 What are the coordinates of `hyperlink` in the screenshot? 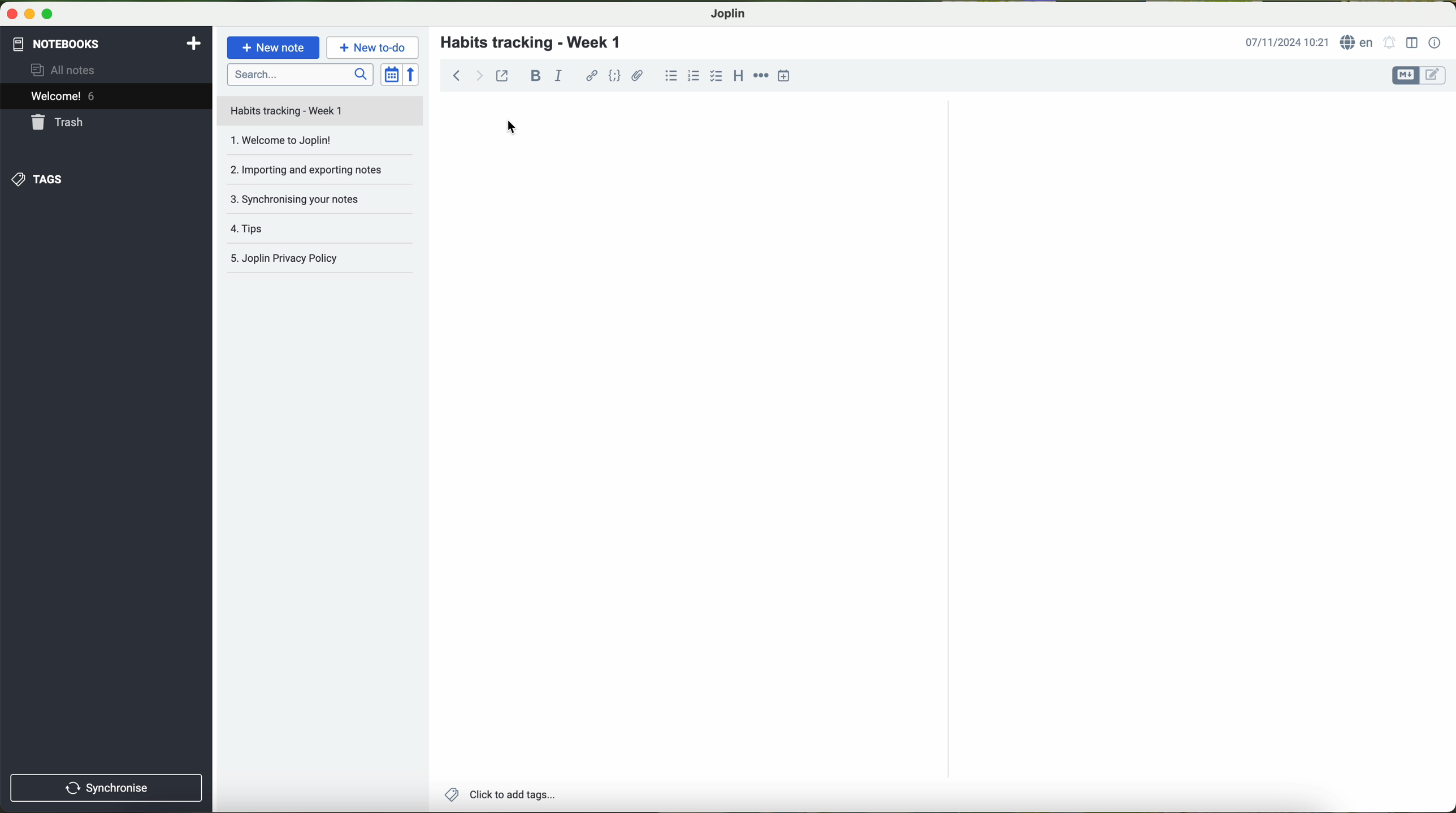 It's located at (592, 76).